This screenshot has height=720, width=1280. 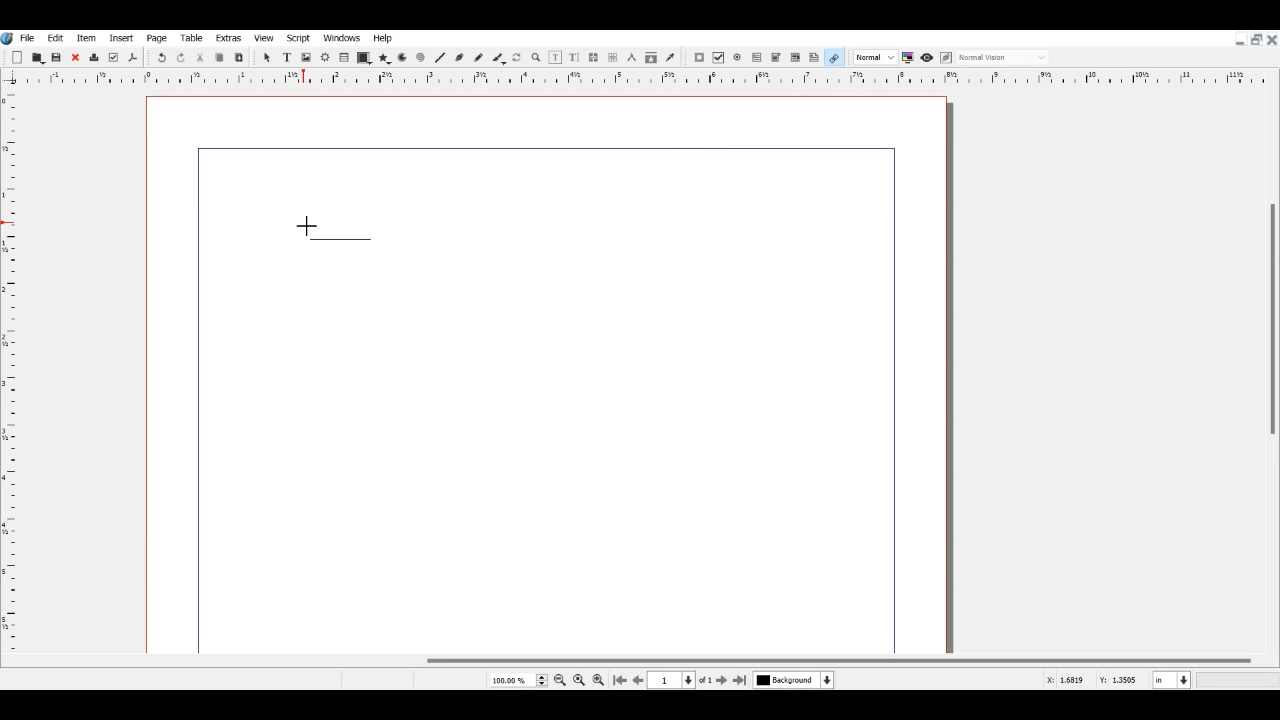 I want to click on Copy, so click(x=218, y=57).